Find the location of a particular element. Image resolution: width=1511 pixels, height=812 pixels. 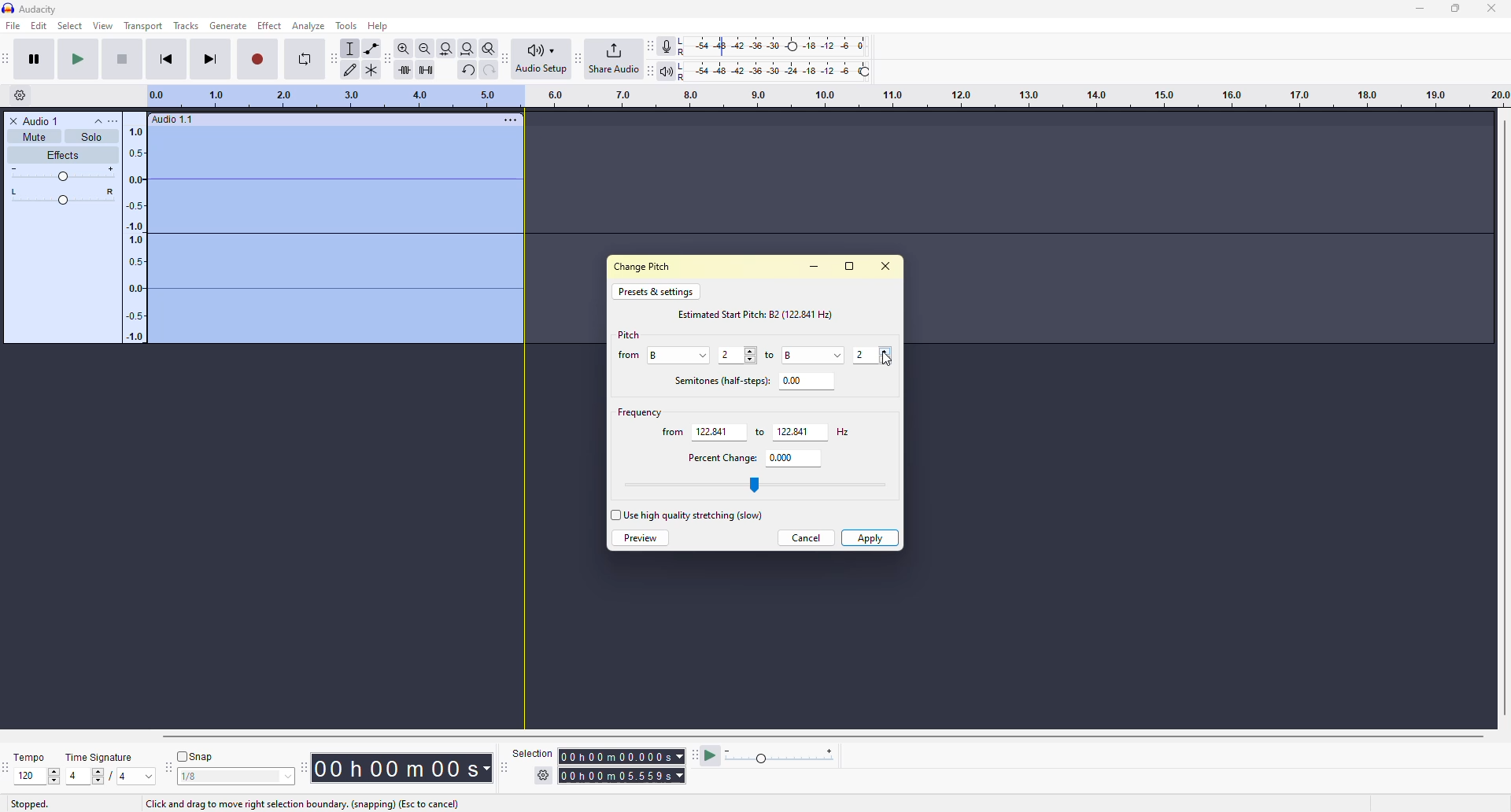

play is located at coordinates (78, 59).